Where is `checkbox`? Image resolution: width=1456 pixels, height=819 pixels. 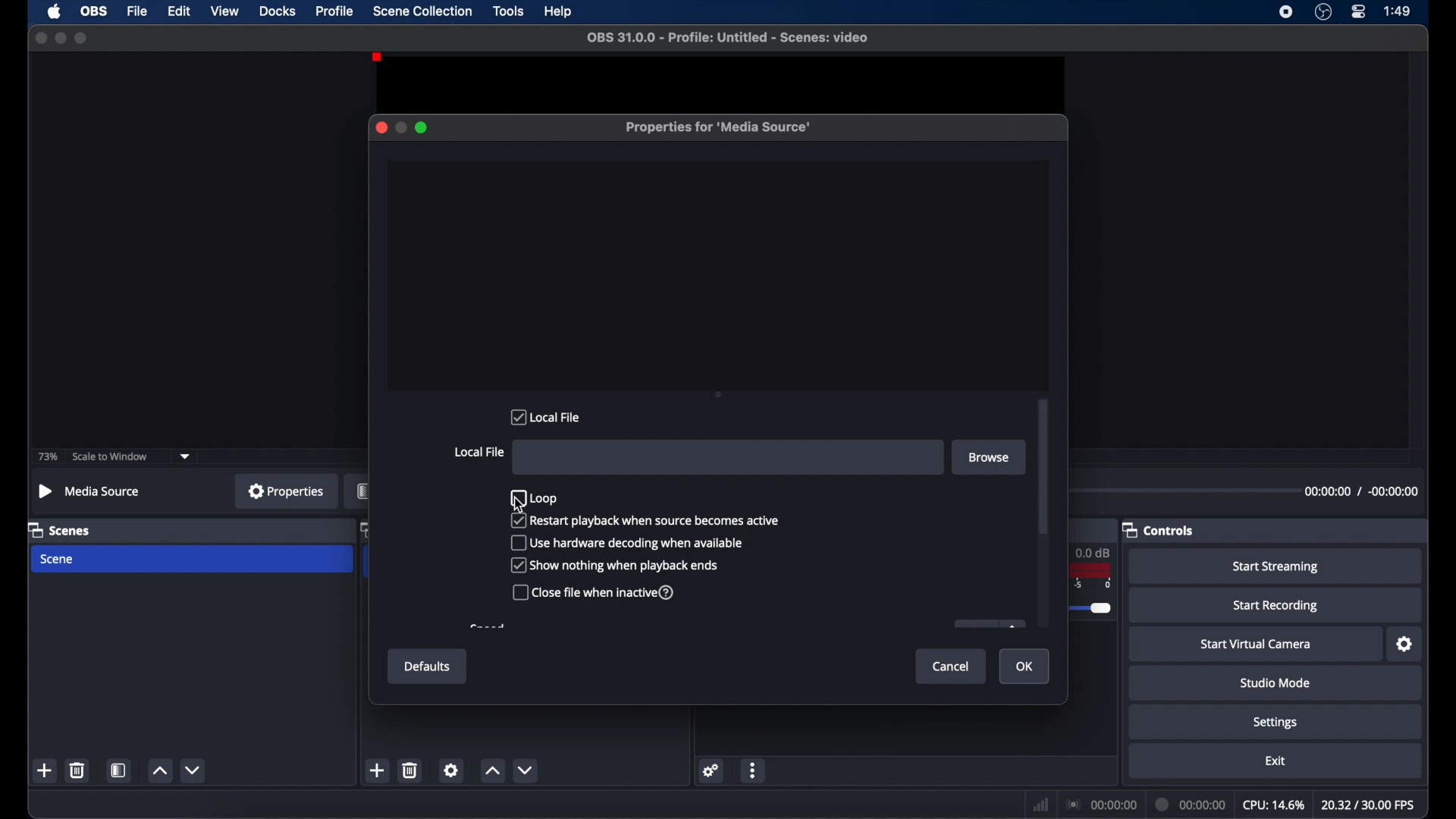
checkbox is located at coordinates (614, 566).